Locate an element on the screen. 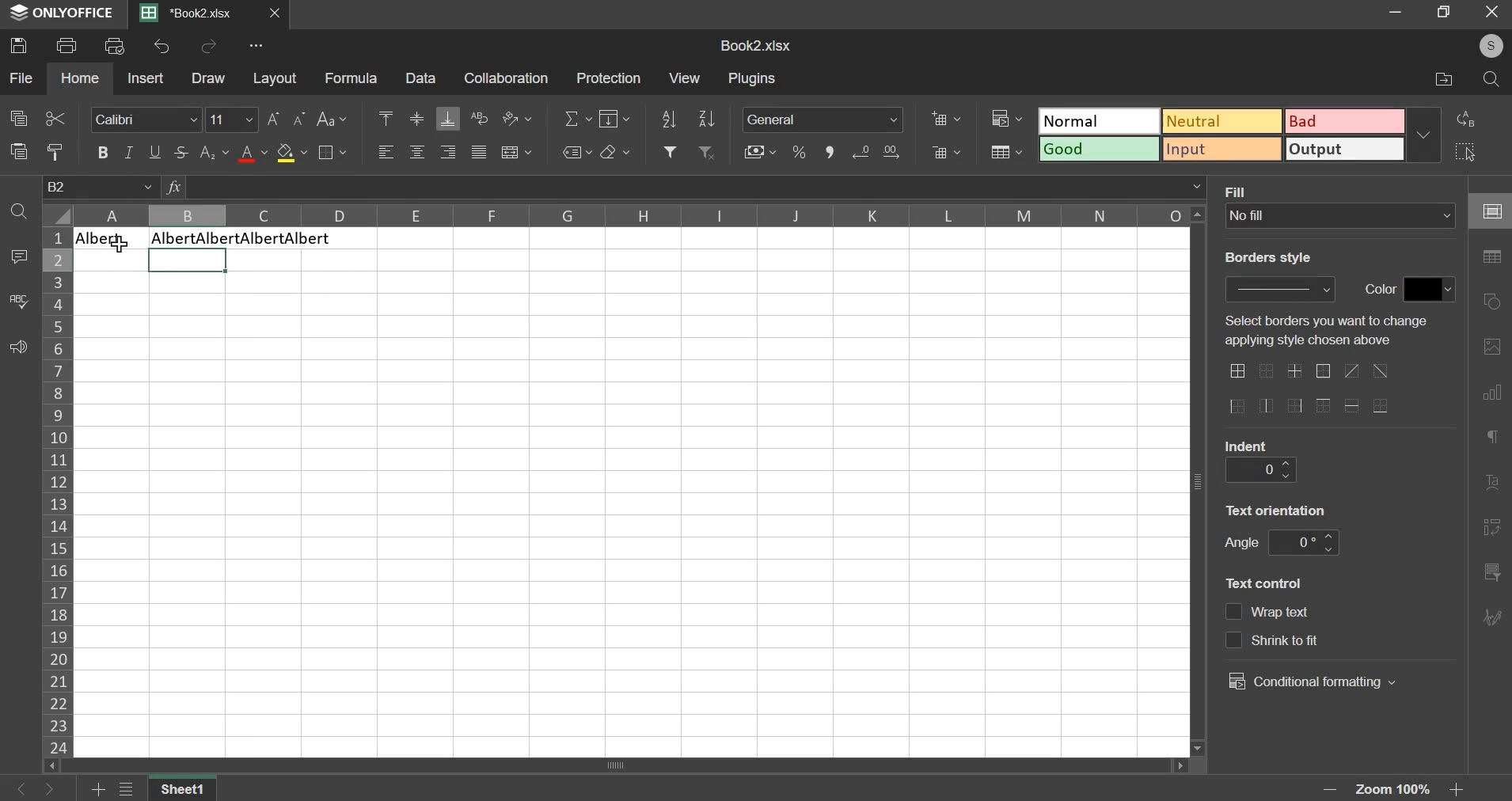 Image resolution: width=1512 pixels, height=801 pixels. view is located at coordinates (686, 78).